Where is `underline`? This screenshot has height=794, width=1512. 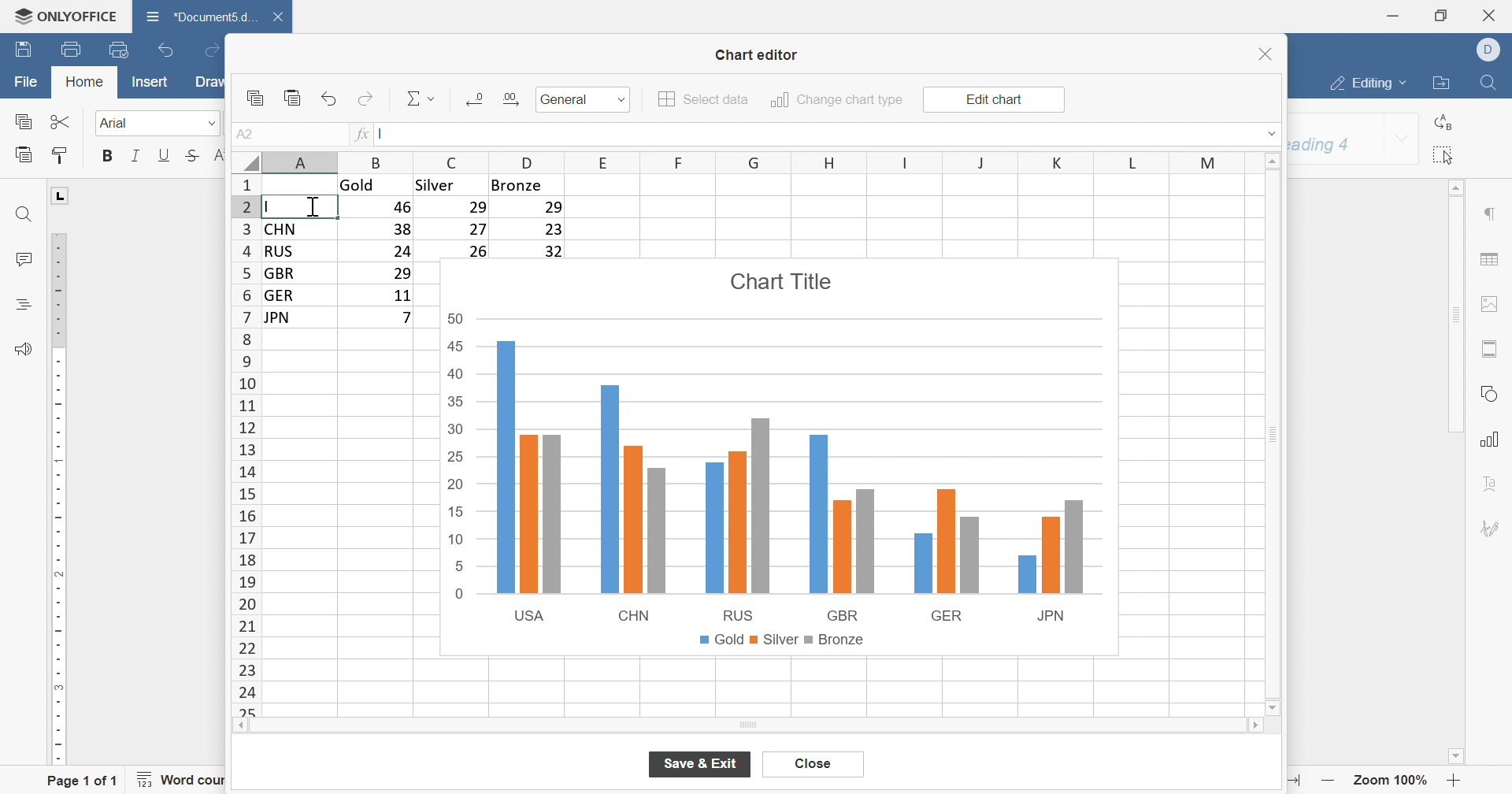 underline is located at coordinates (164, 155).